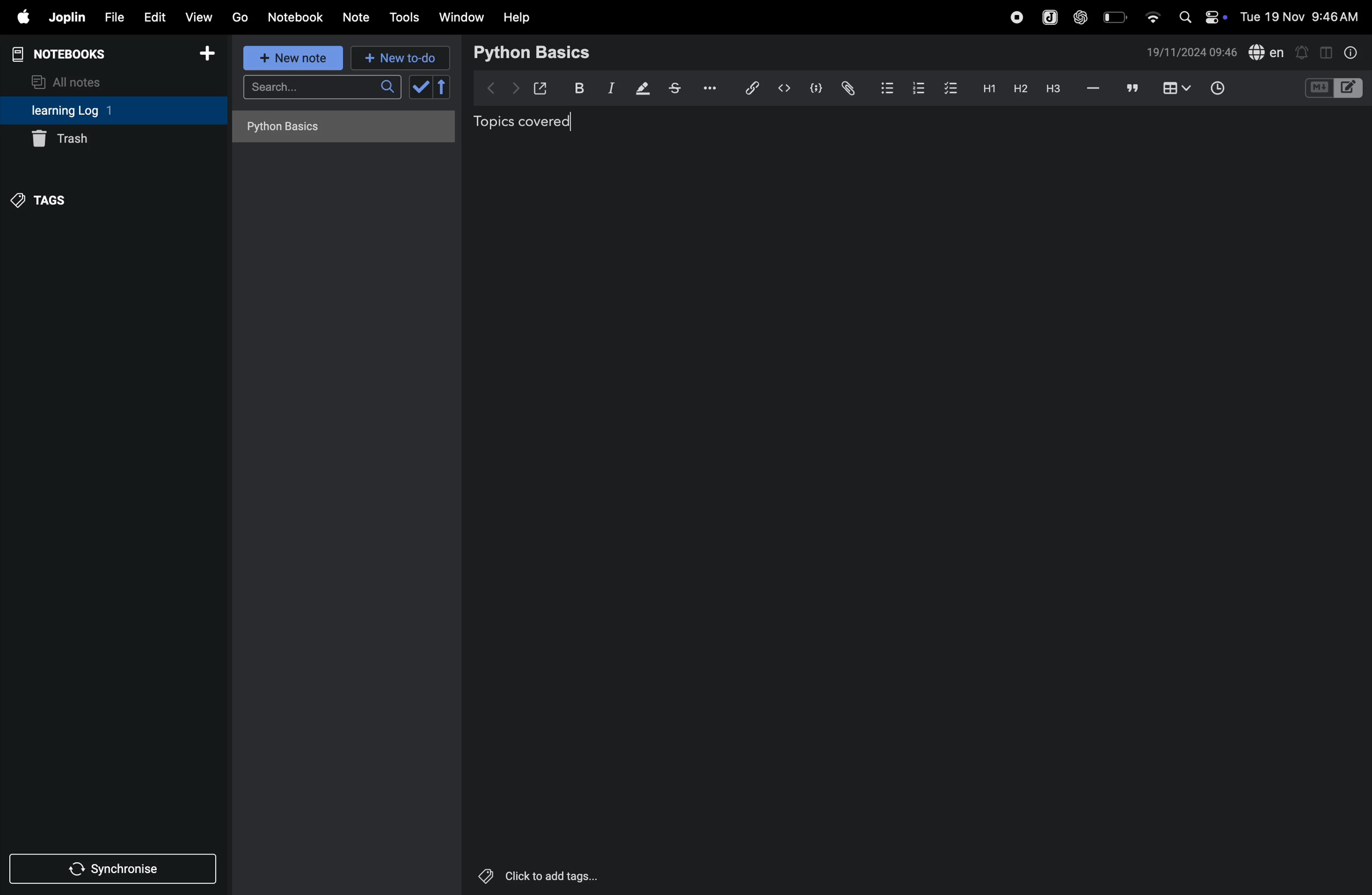  Describe the element at coordinates (1174, 89) in the screenshot. I see `add table` at that location.